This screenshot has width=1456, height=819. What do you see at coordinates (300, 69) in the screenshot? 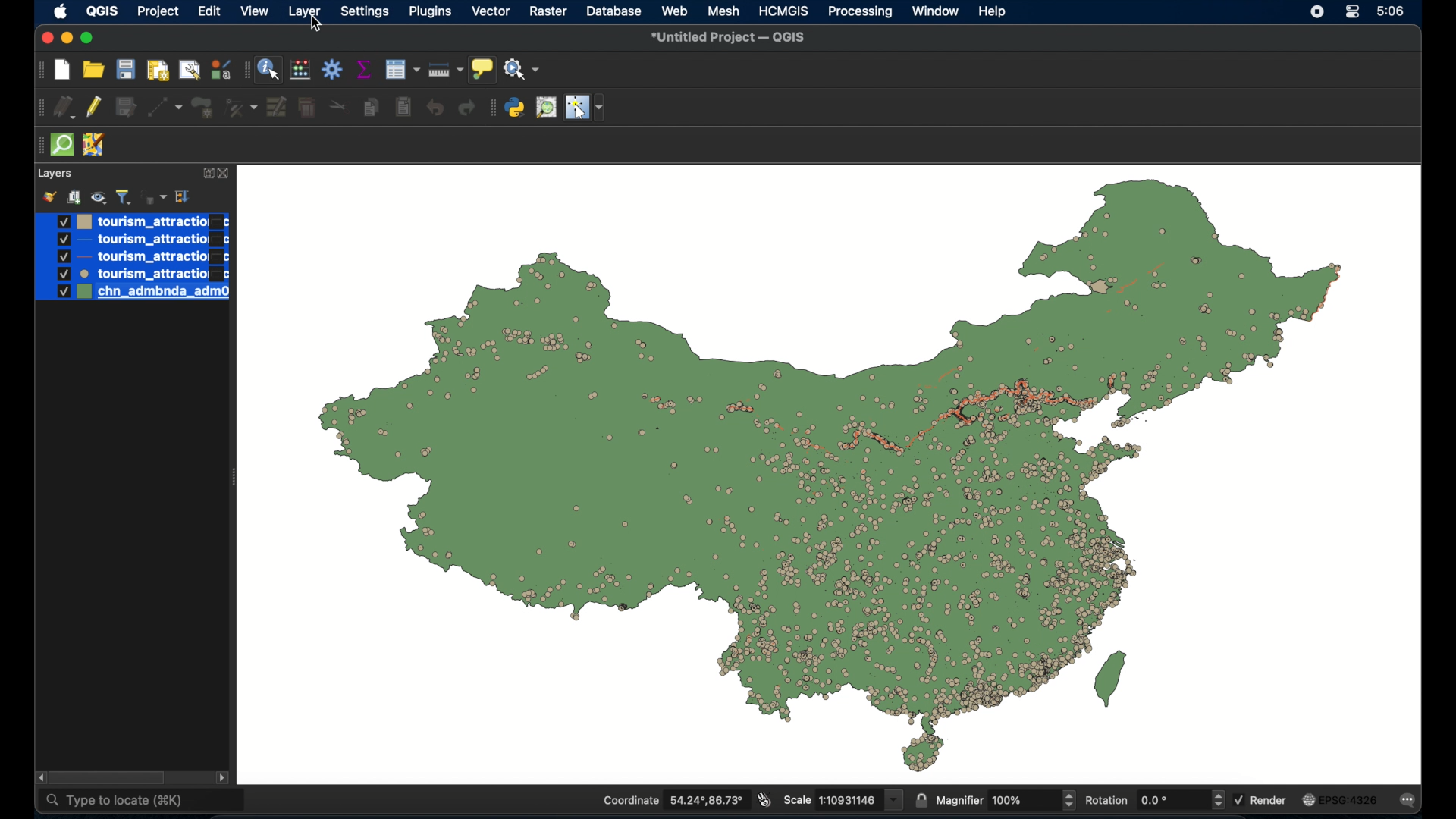
I see `open field calculator` at bounding box center [300, 69].